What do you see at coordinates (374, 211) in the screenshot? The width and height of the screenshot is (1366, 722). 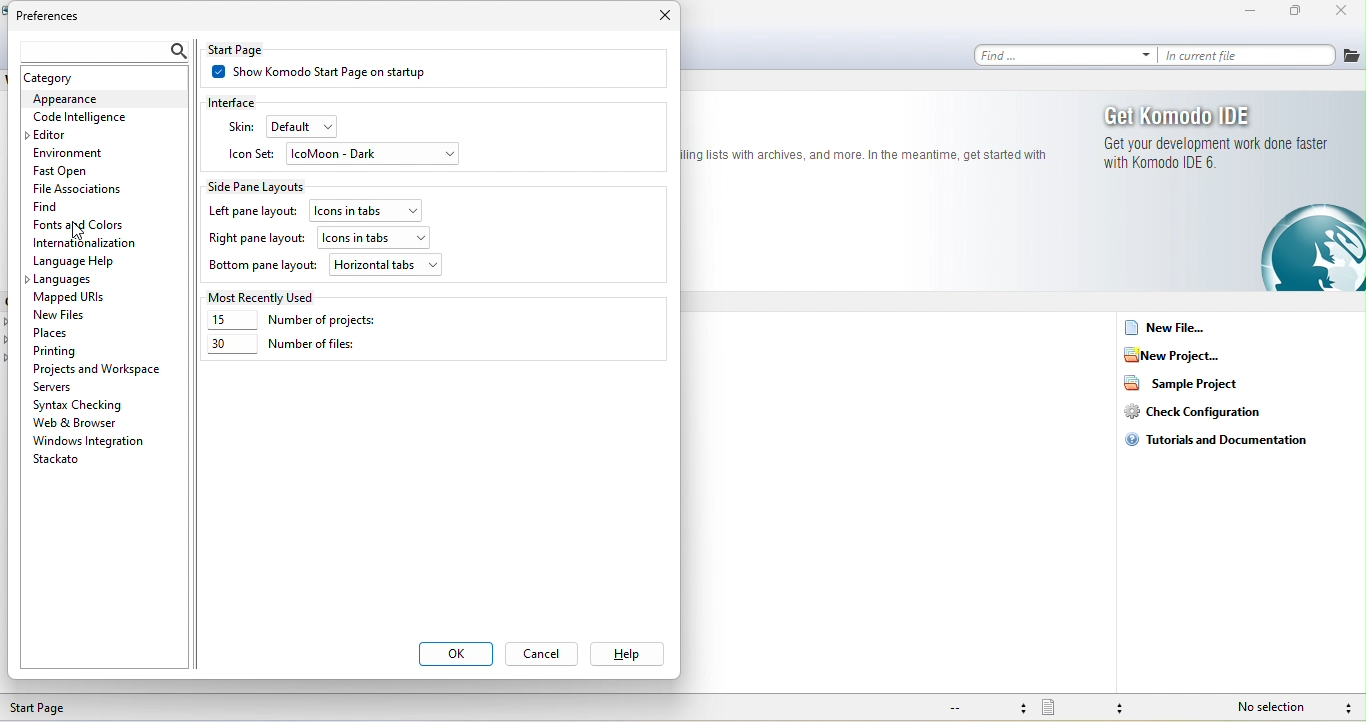 I see `icons in tabs` at bounding box center [374, 211].